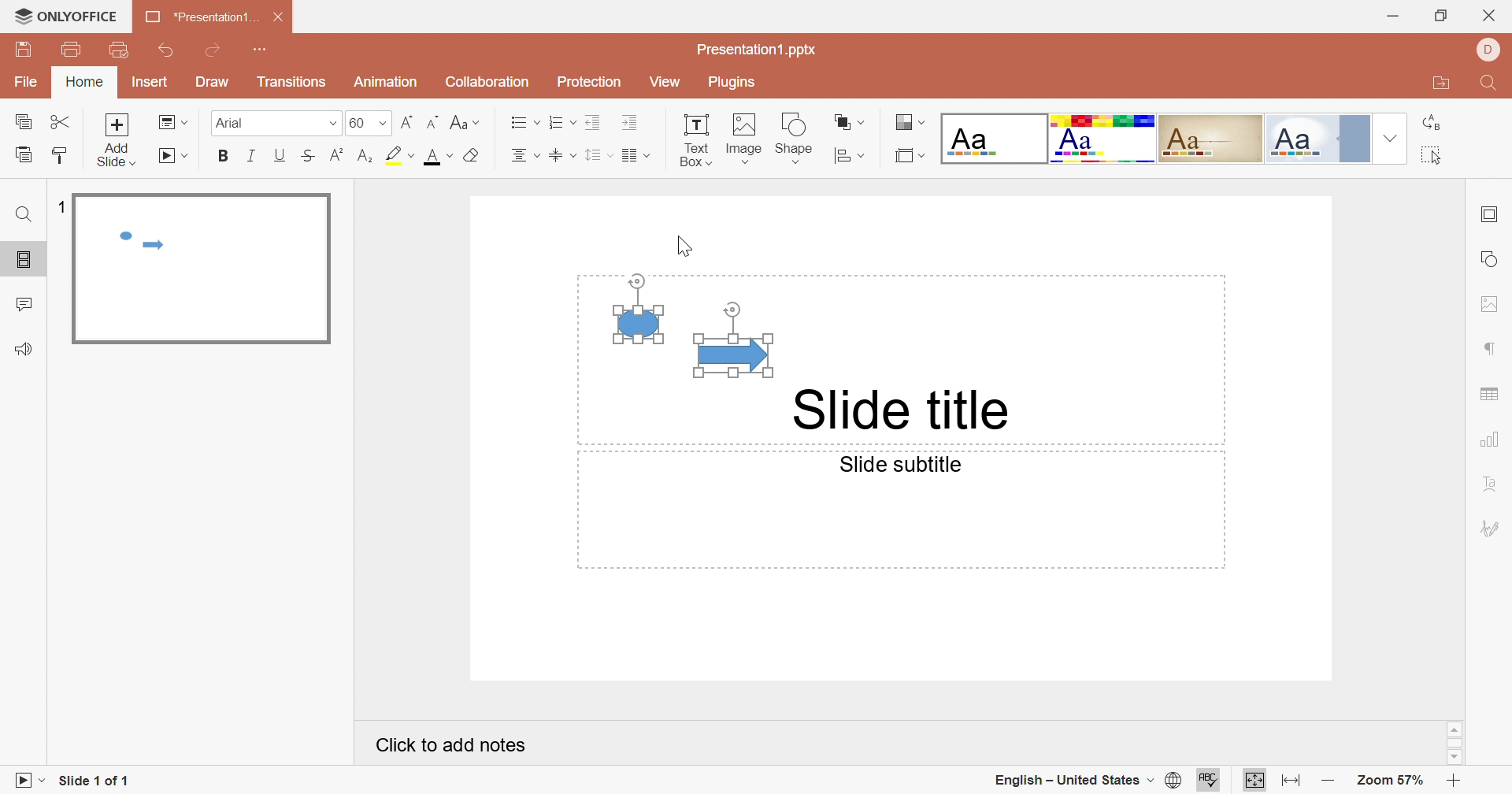 The width and height of the screenshot is (1512, 794). Describe the element at coordinates (98, 781) in the screenshot. I see `Slide 1 of 1` at that location.